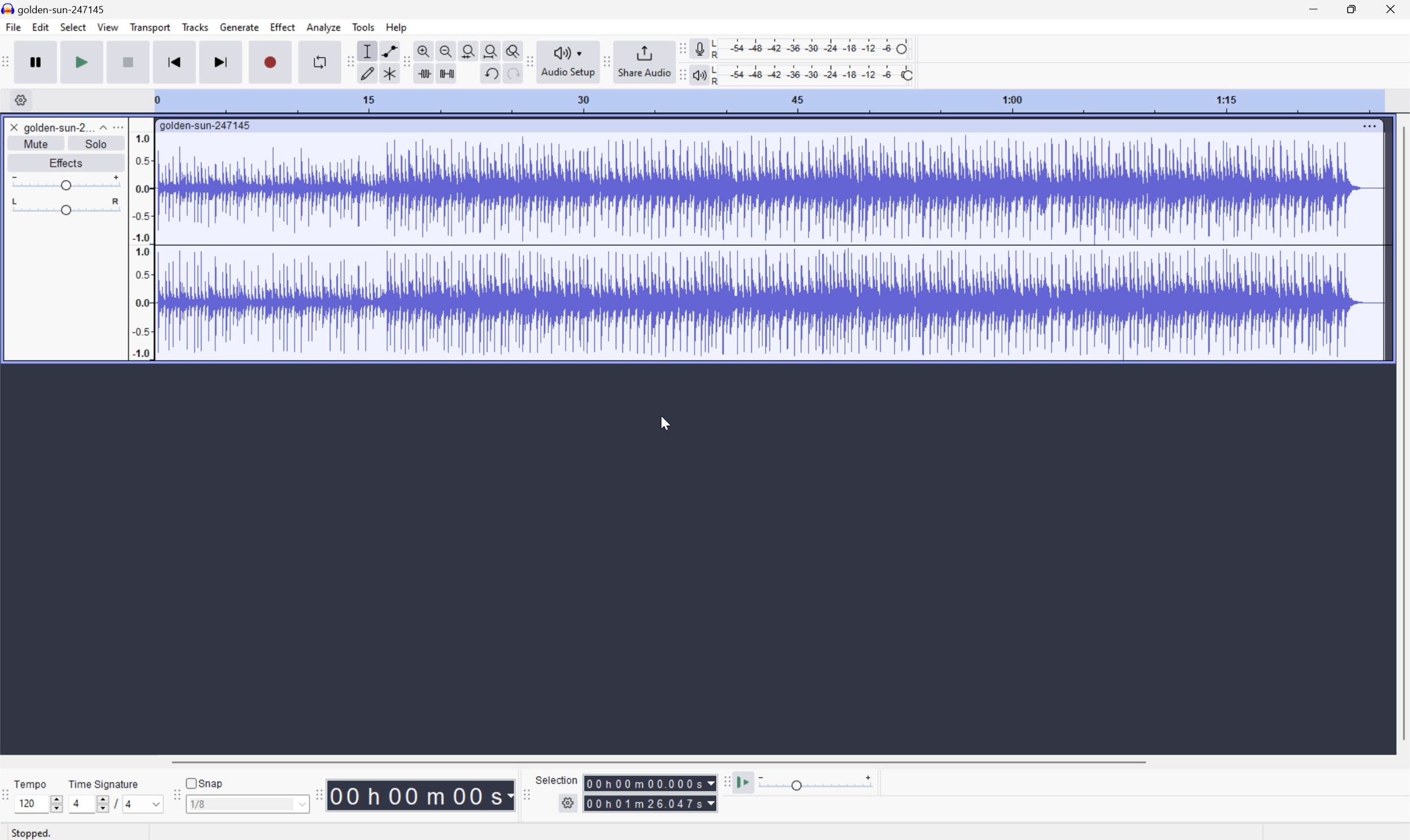  What do you see at coordinates (220, 63) in the screenshot?
I see `Skip to end` at bounding box center [220, 63].